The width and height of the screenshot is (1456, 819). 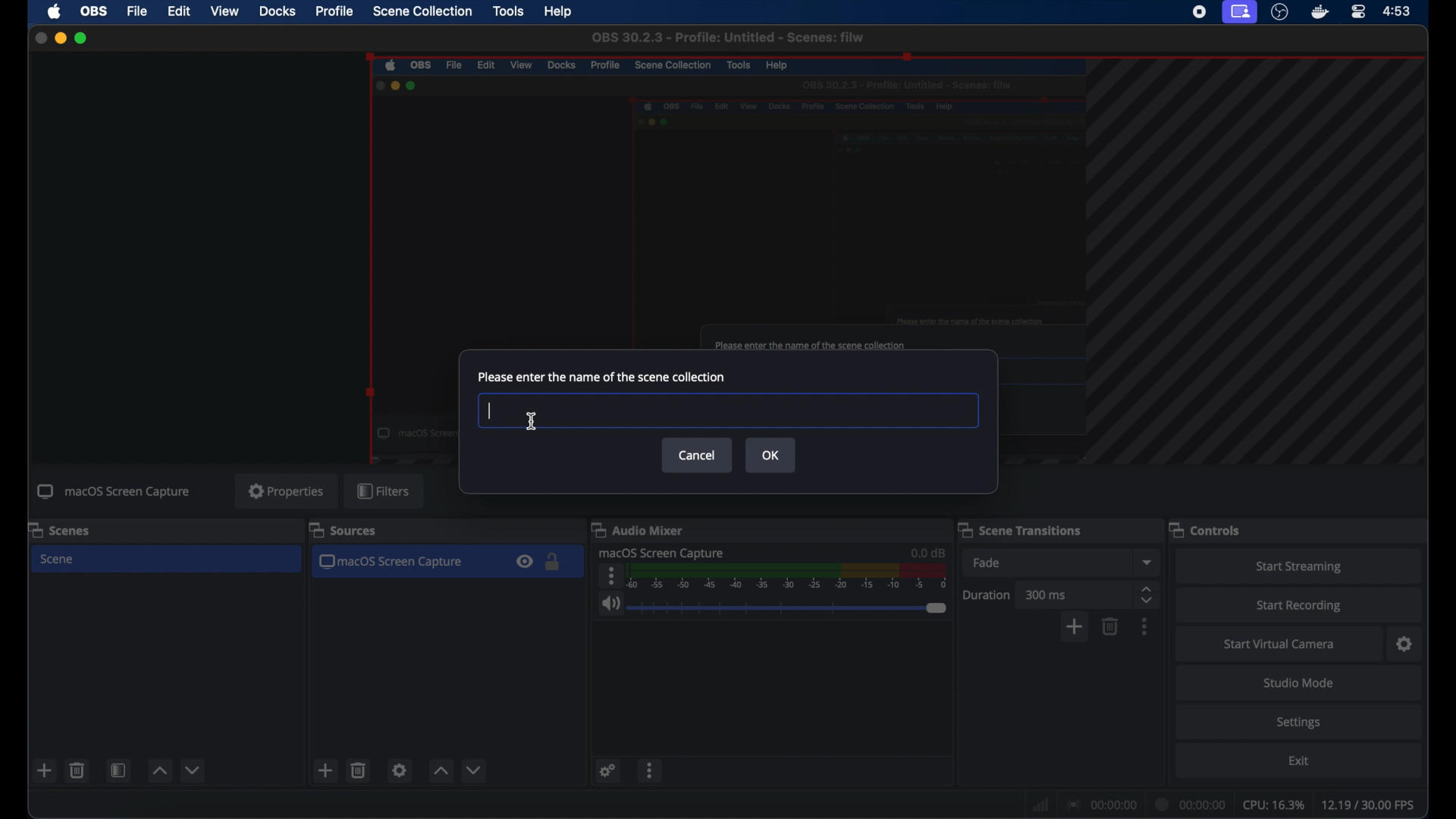 I want to click on volume , so click(x=609, y=604).